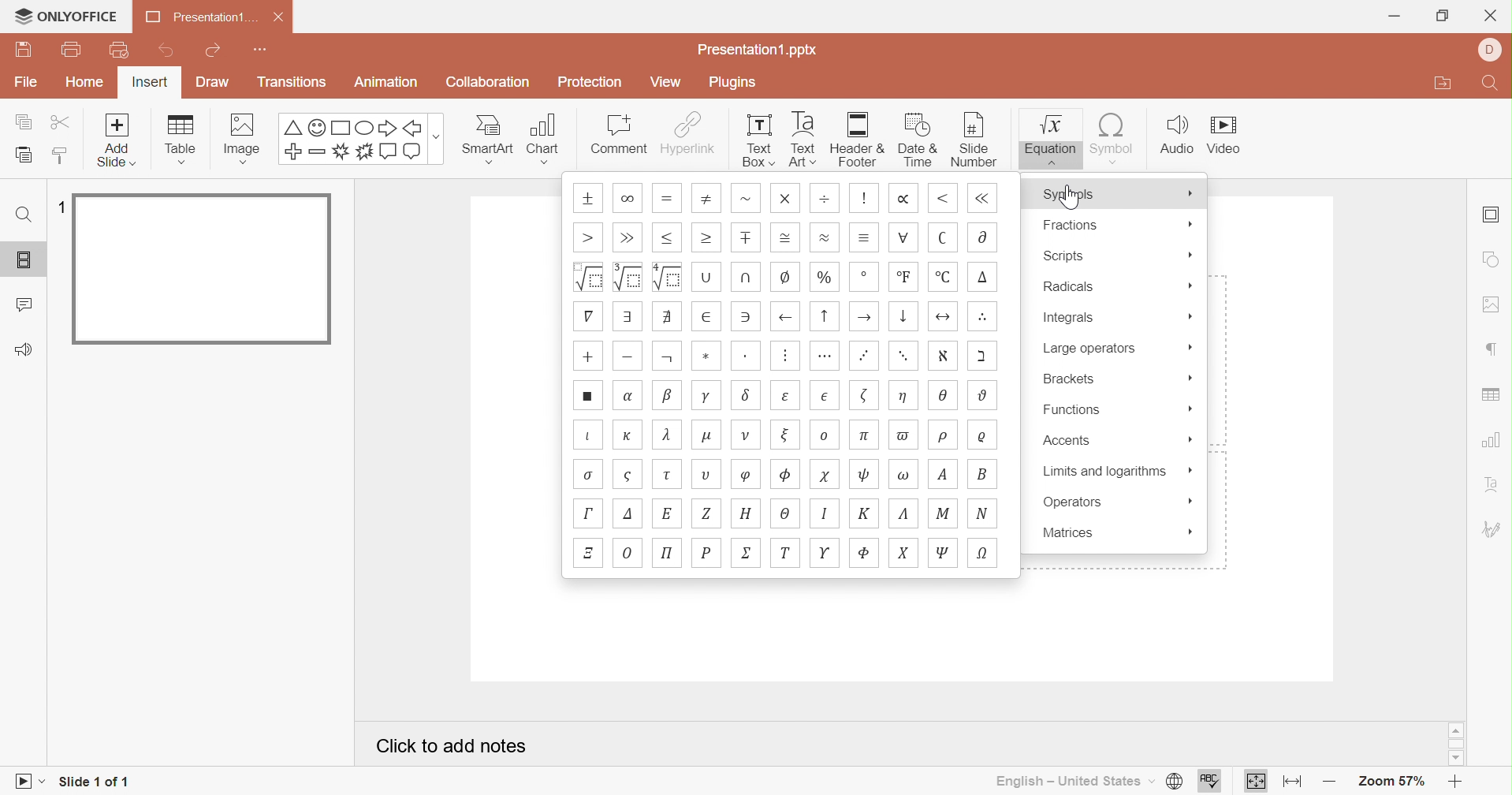  Describe the element at coordinates (196, 19) in the screenshot. I see `Presentation1` at that location.